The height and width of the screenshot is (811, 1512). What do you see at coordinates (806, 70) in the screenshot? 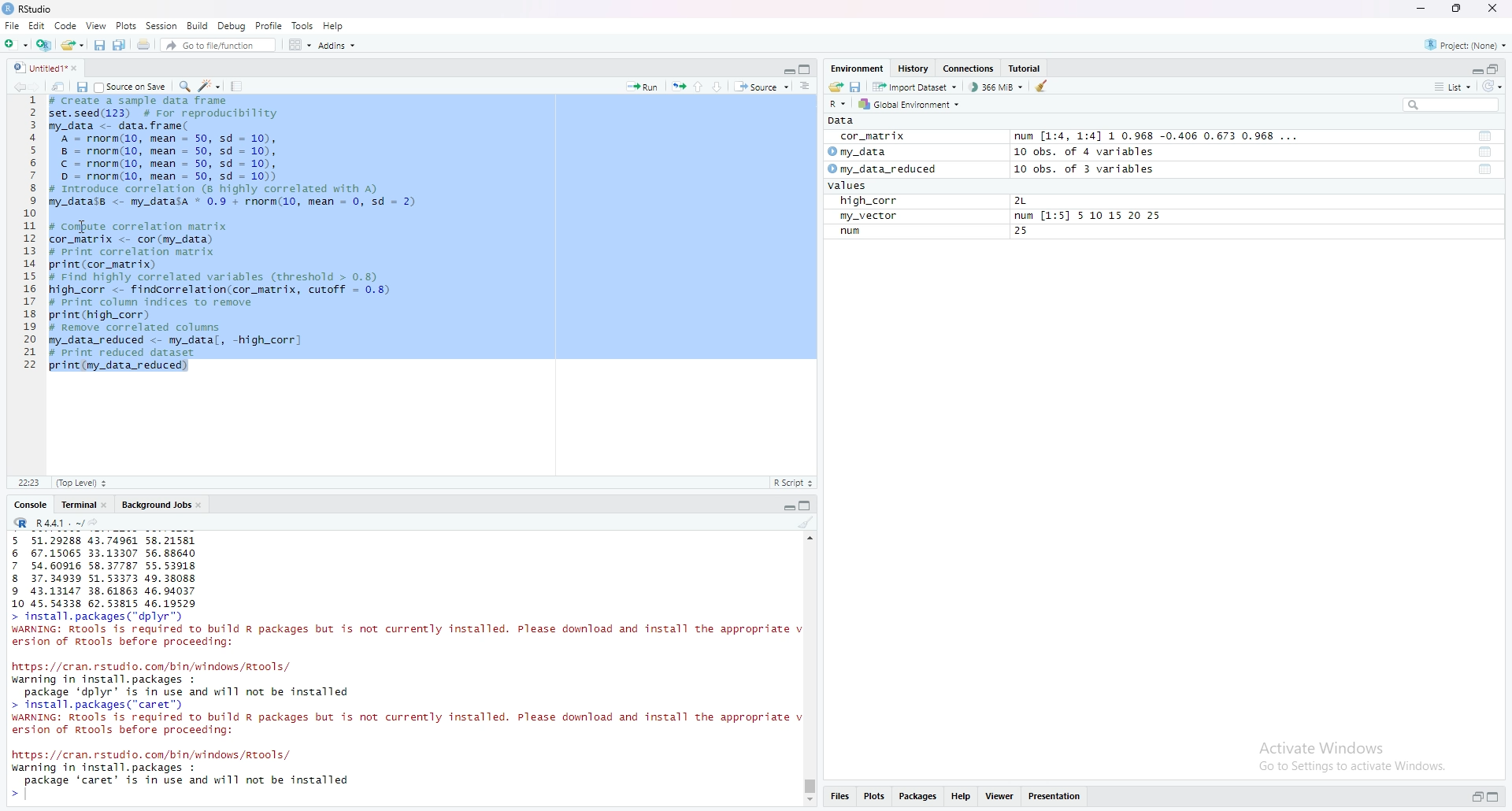
I see `copy` at bounding box center [806, 70].